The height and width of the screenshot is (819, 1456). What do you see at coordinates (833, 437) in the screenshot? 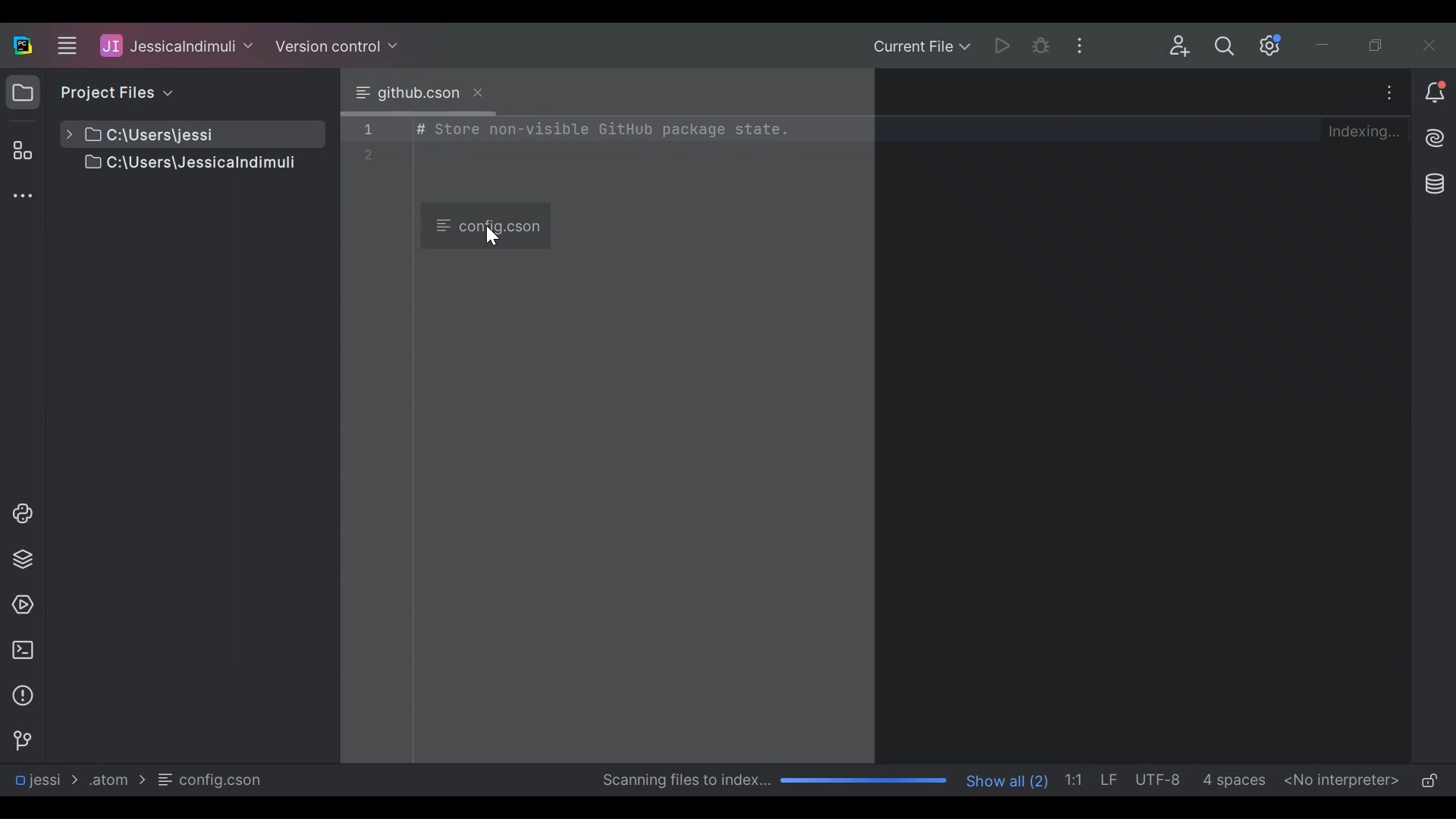
I see `Editor` at bounding box center [833, 437].